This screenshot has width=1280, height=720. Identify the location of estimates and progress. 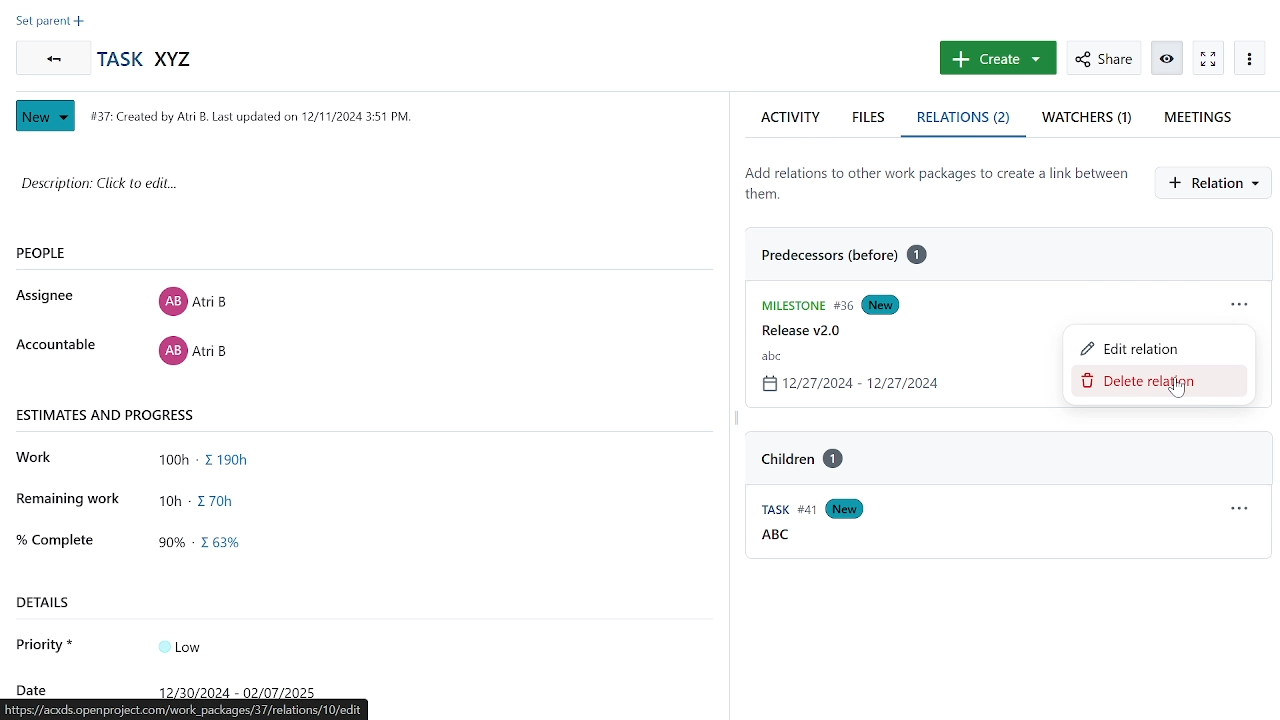
(108, 414).